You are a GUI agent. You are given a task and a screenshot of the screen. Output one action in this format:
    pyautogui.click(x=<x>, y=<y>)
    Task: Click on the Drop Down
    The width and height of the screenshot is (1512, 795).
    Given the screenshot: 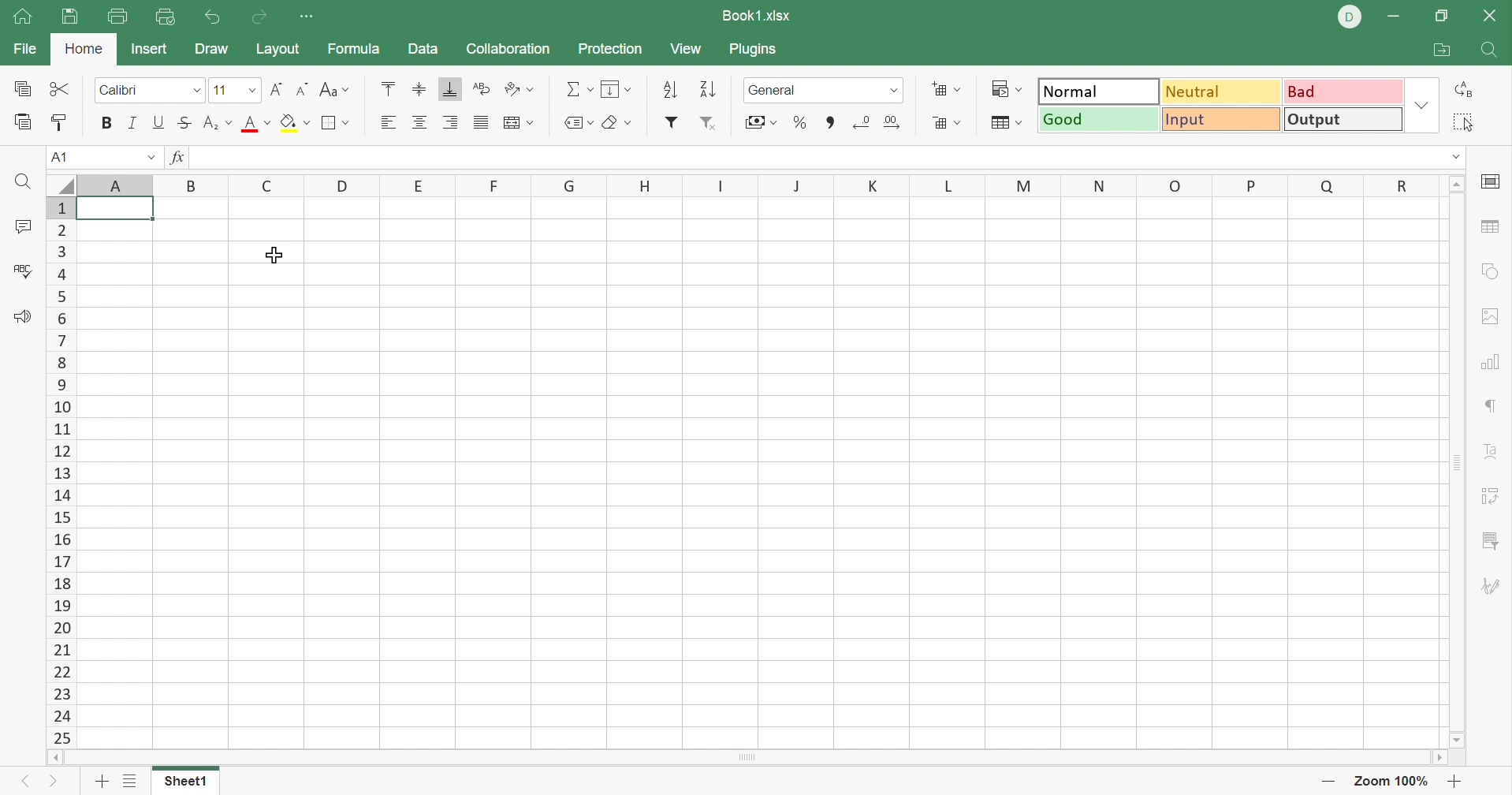 What is the action you would take?
    pyautogui.click(x=1419, y=104)
    